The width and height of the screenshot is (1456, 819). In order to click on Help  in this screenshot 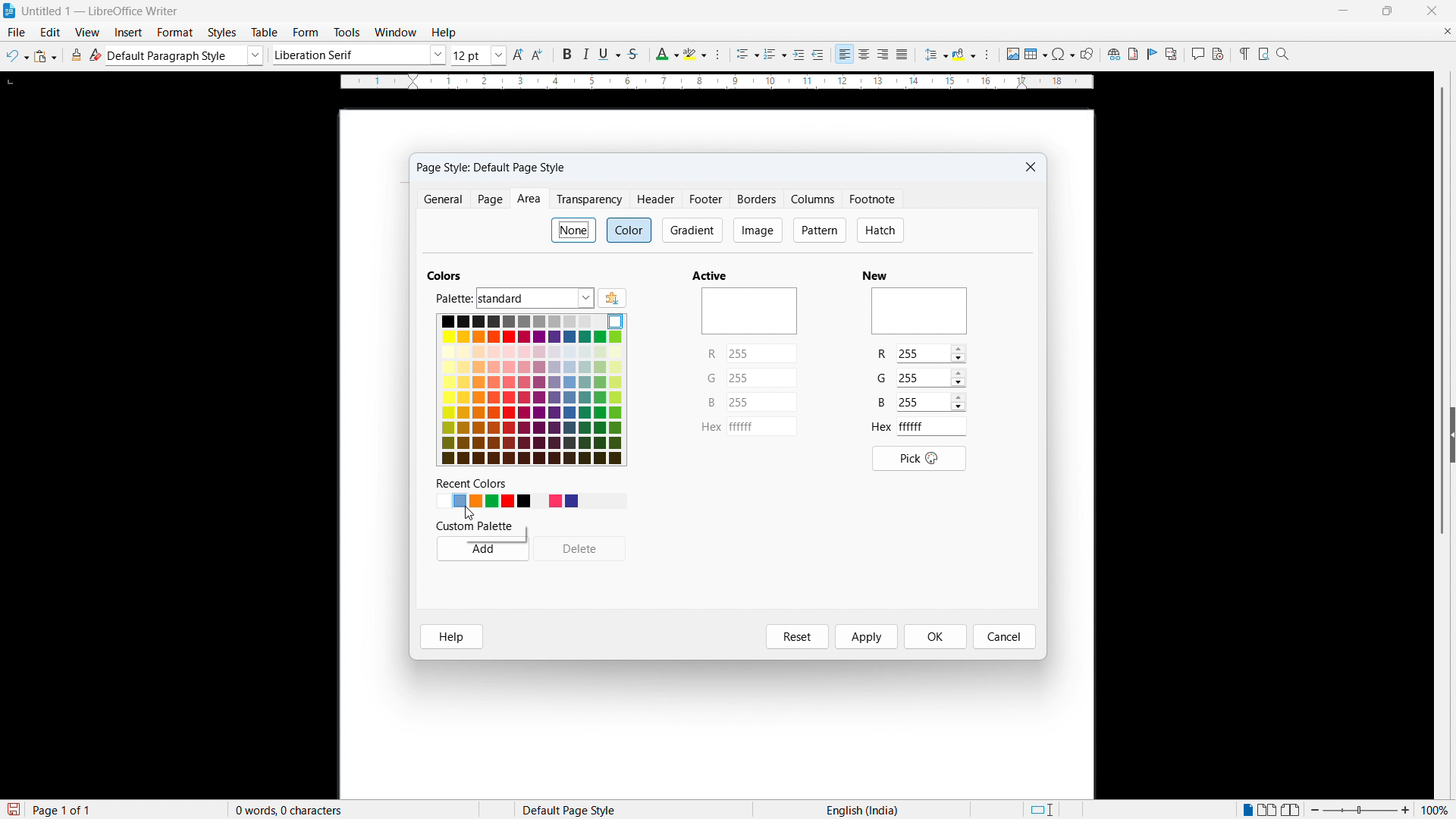, I will do `click(452, 636)`.